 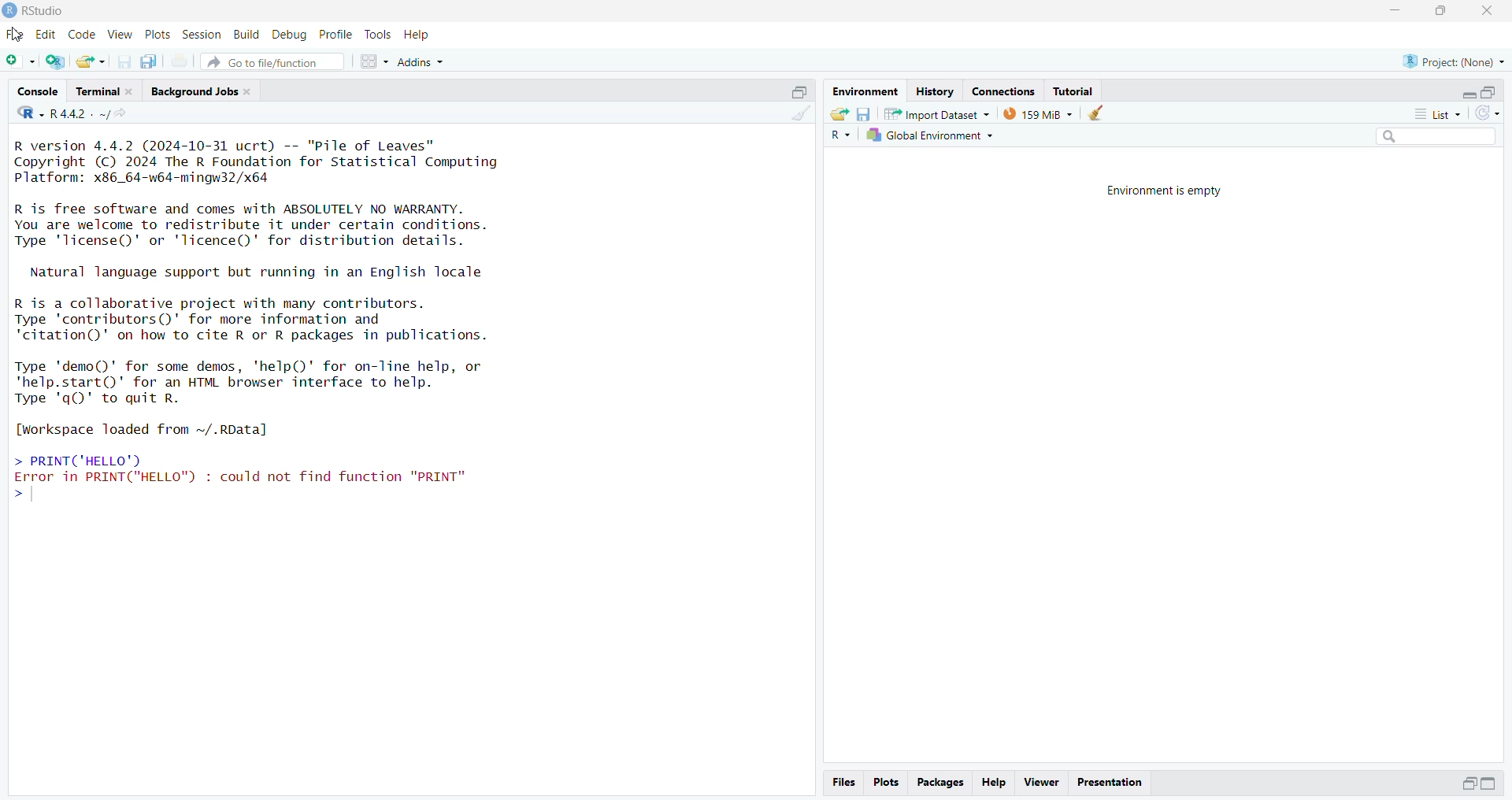 What do you see at coordinates (21, 61) in the screenshot?
I see `new file` at bounding box center [21, 61].